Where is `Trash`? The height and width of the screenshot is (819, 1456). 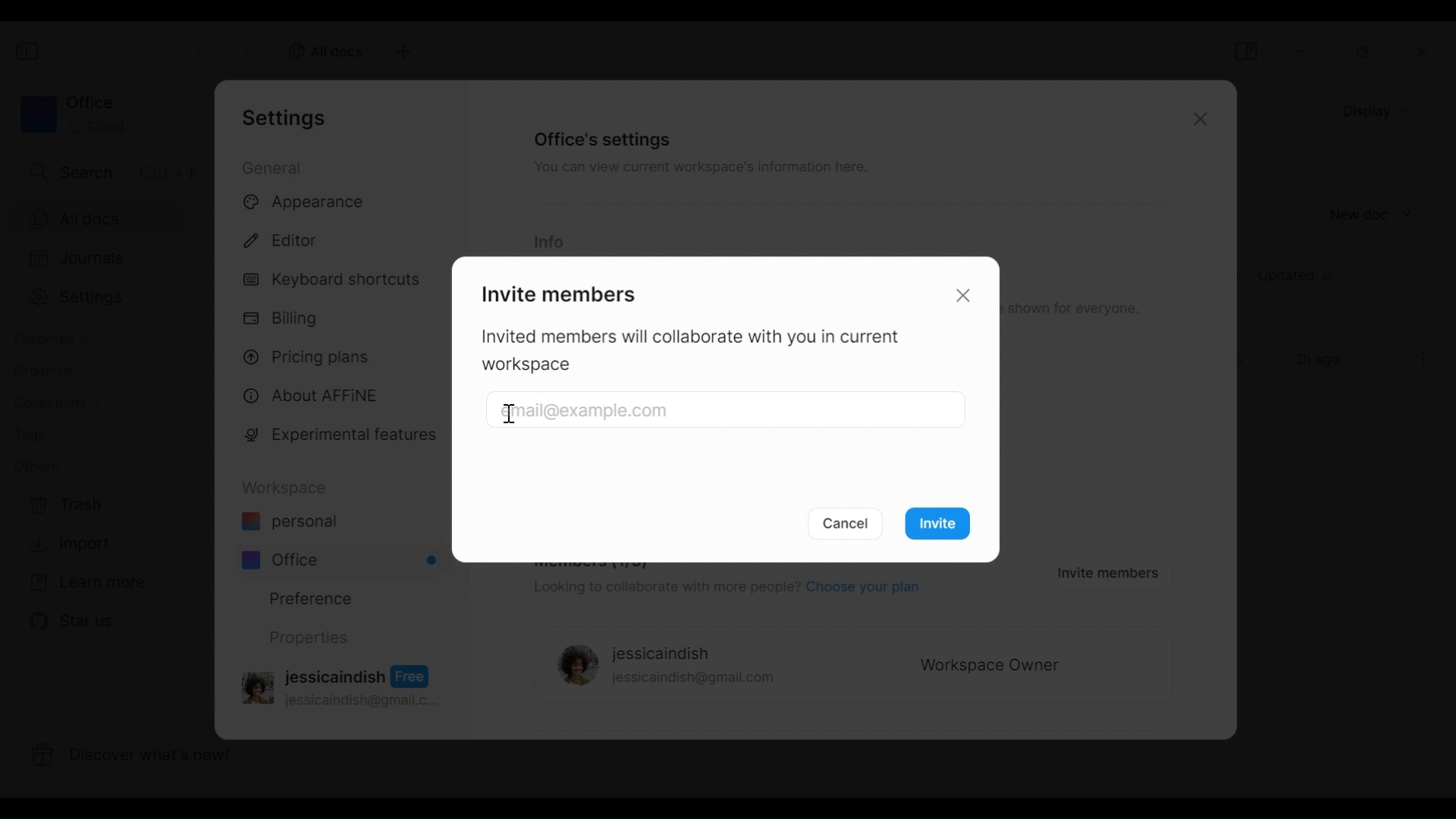 Trash is located at coordinates (67, 505).